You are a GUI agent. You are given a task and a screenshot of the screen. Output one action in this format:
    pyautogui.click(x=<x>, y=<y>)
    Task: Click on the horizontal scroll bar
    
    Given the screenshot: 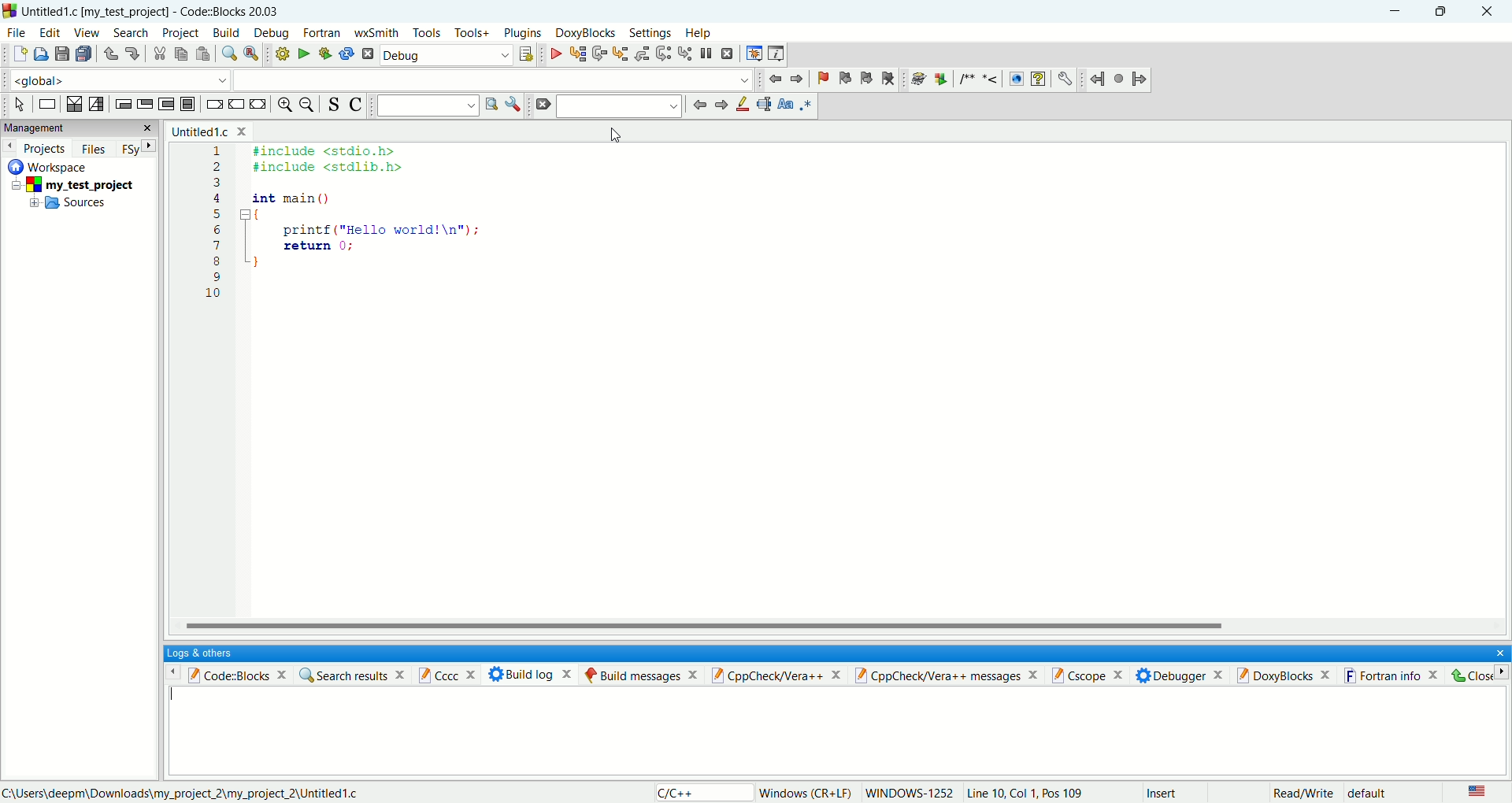 What is the action you would take?
    pyautogui.click(x=839, y=626)
    